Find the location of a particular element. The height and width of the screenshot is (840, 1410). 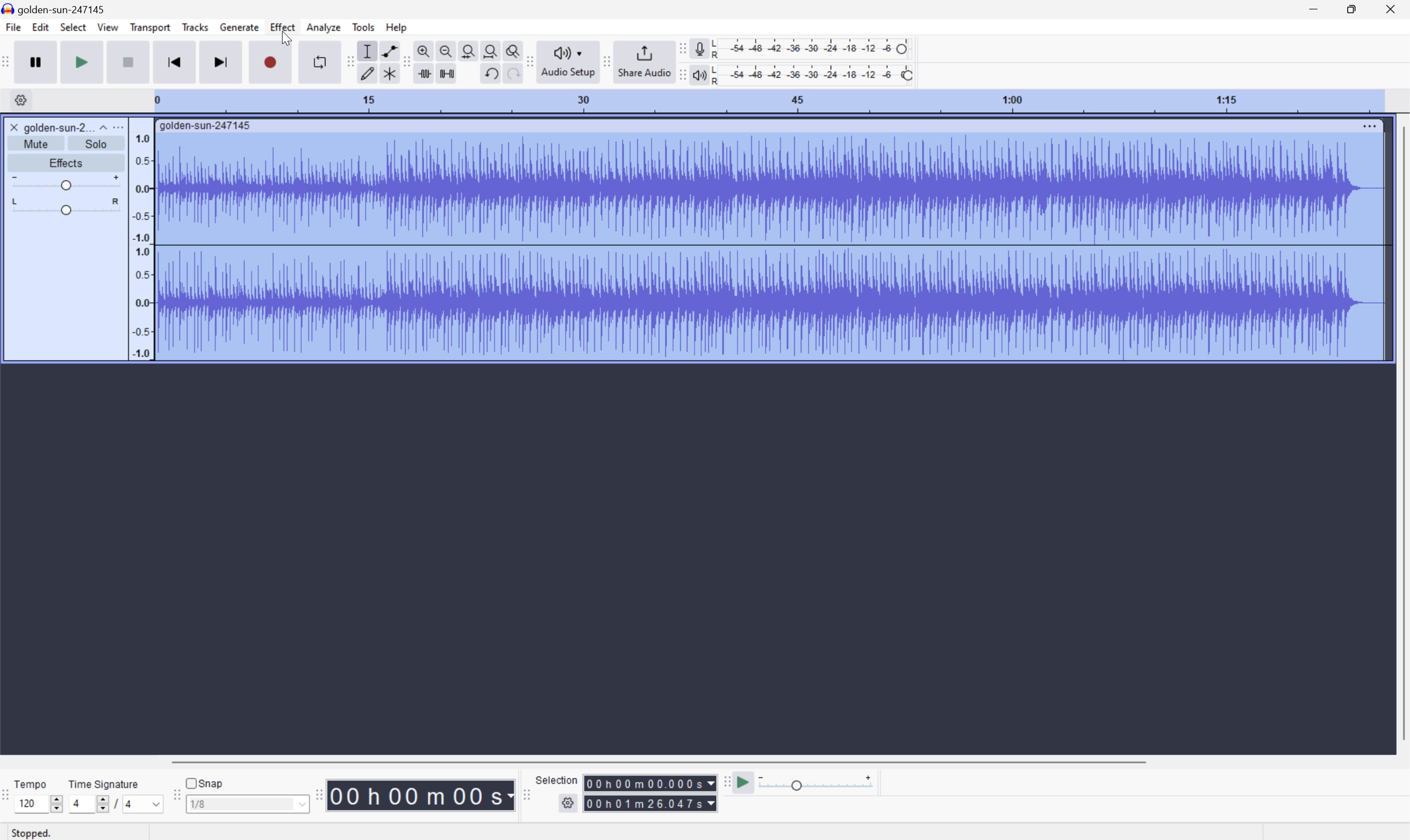

Select is located at coordinates (73, 26).